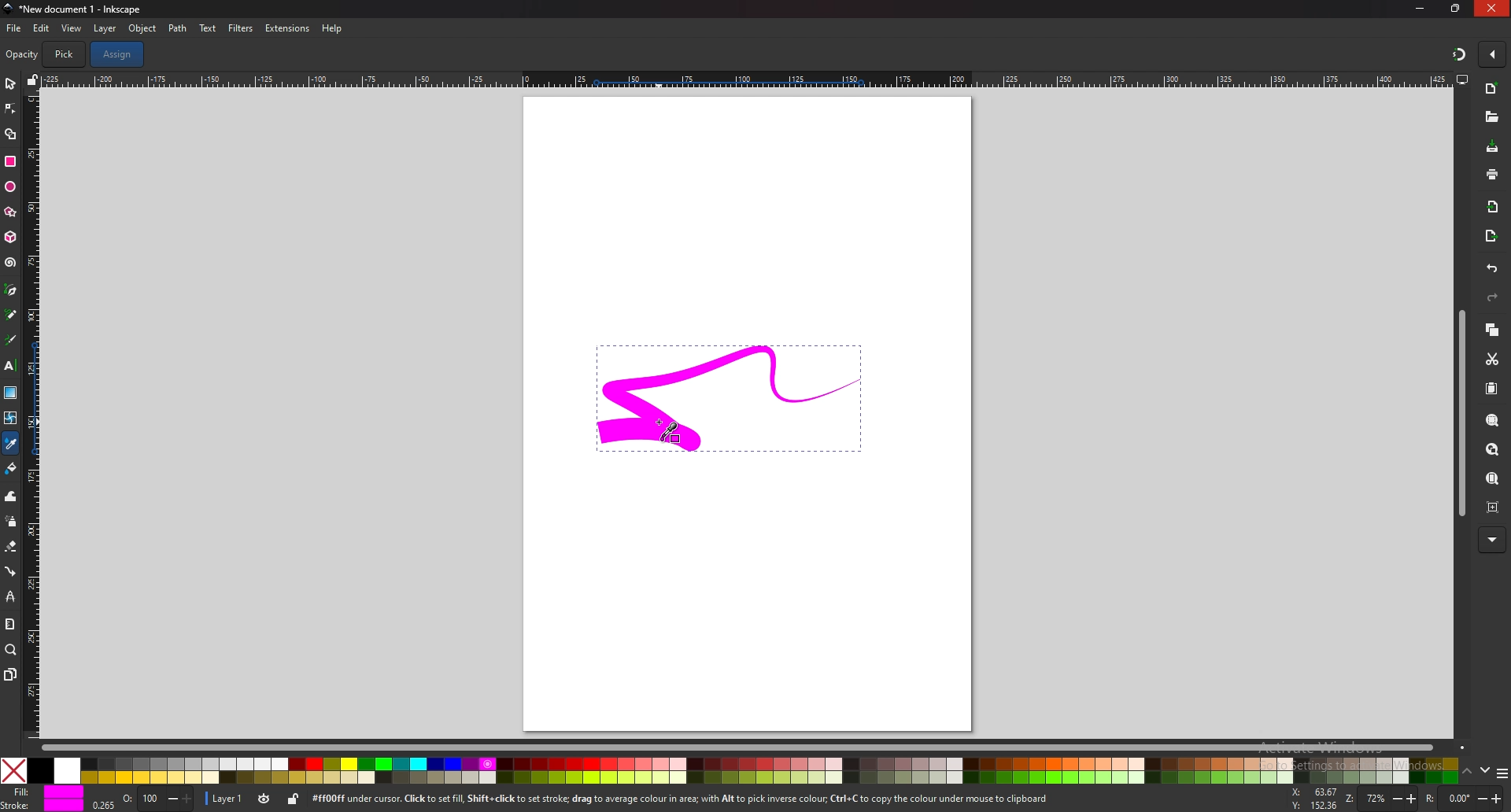 The width and height of the screenshot is (1511, 812). What do you see at coordinates (1491, 298) in the screenshot?
I see `redo` at bounding box center [1491, 298].